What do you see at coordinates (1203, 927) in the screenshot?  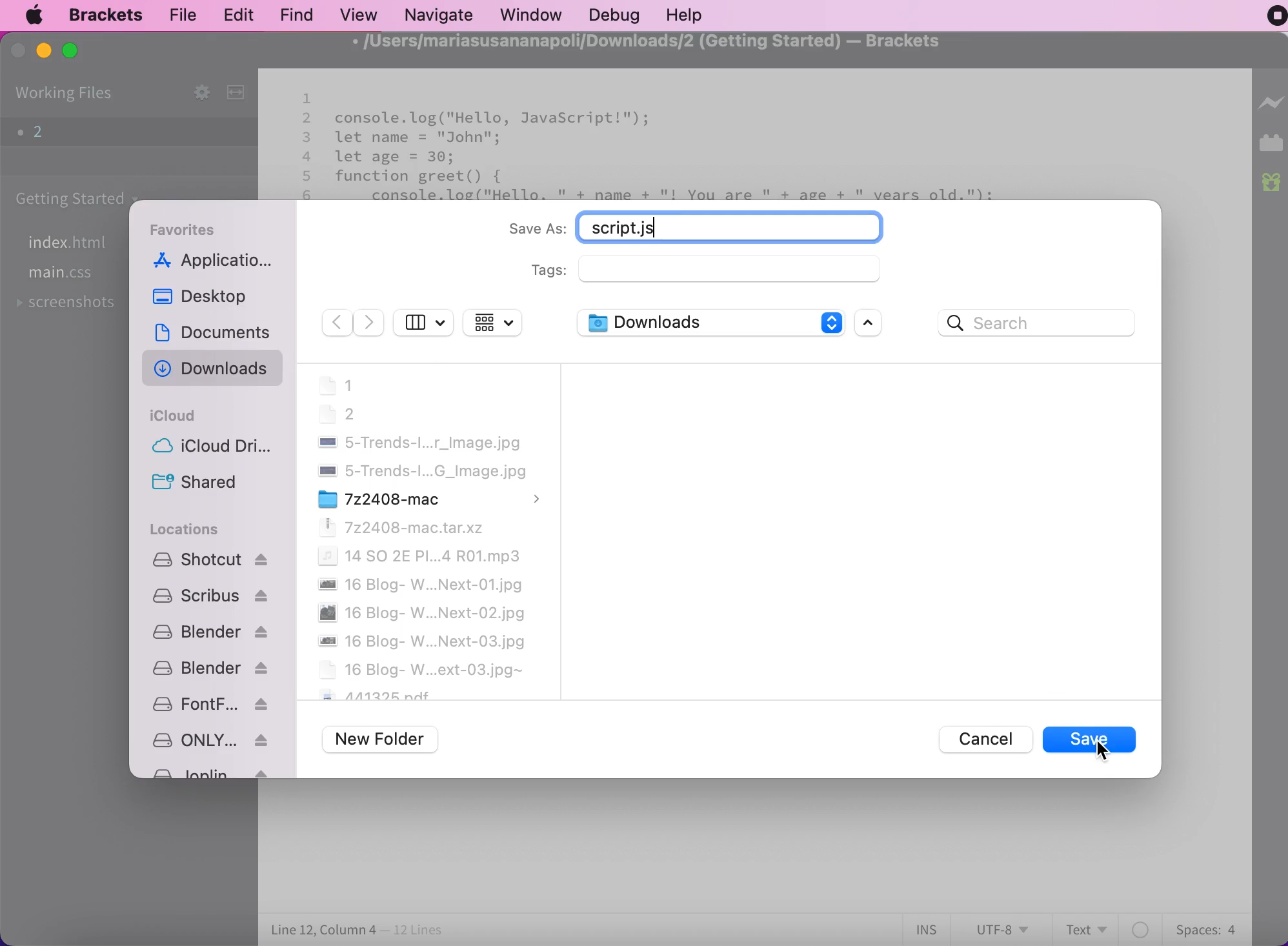 I see `spaces: 4` at bounding box center [1203, 927].